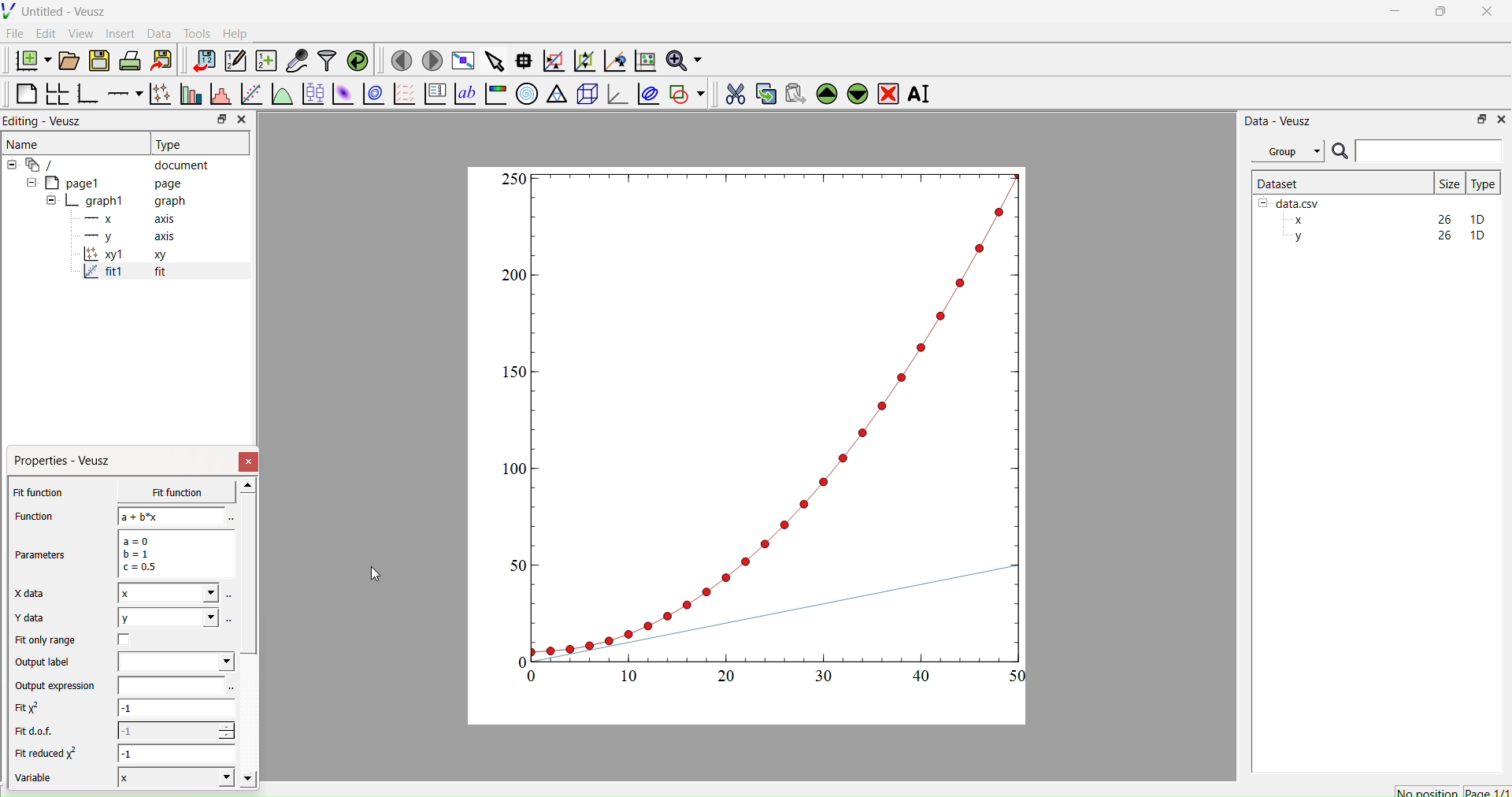 The image size is (1512, 797). What do you see at coordinates (402, 61) in the screenshot?
I see `Previous page` at bounding box center [402, 61].